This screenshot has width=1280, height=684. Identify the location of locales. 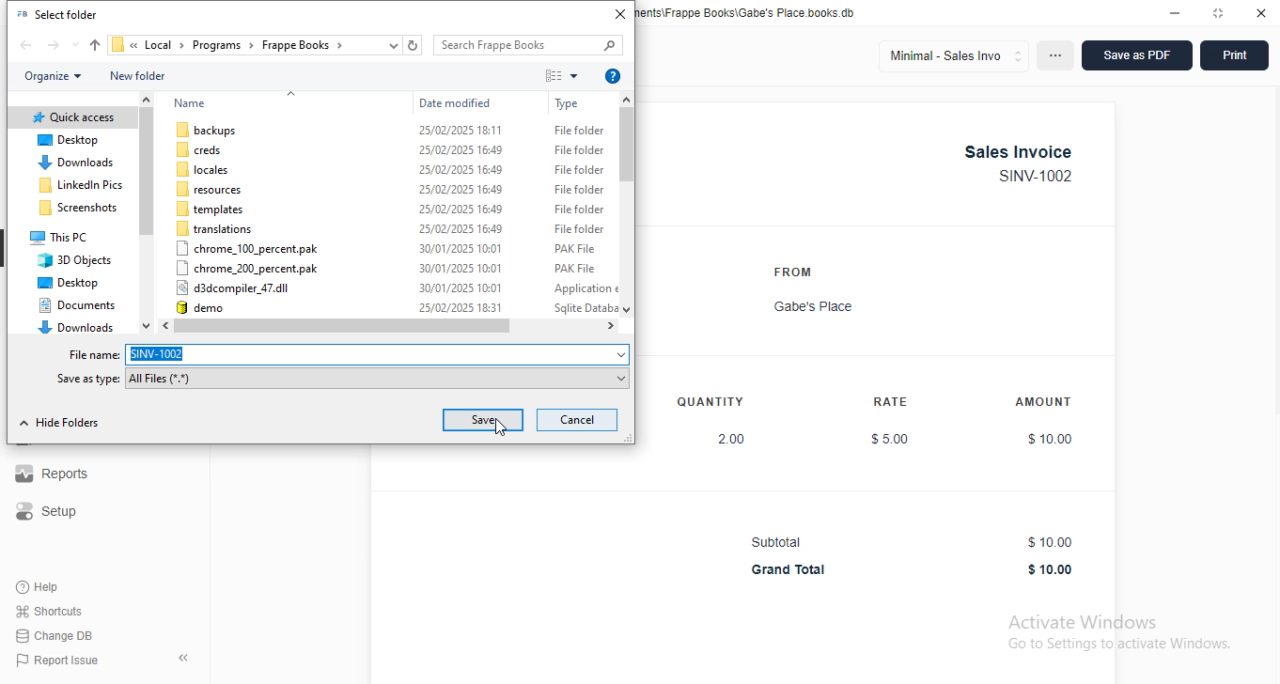
(199, 170).